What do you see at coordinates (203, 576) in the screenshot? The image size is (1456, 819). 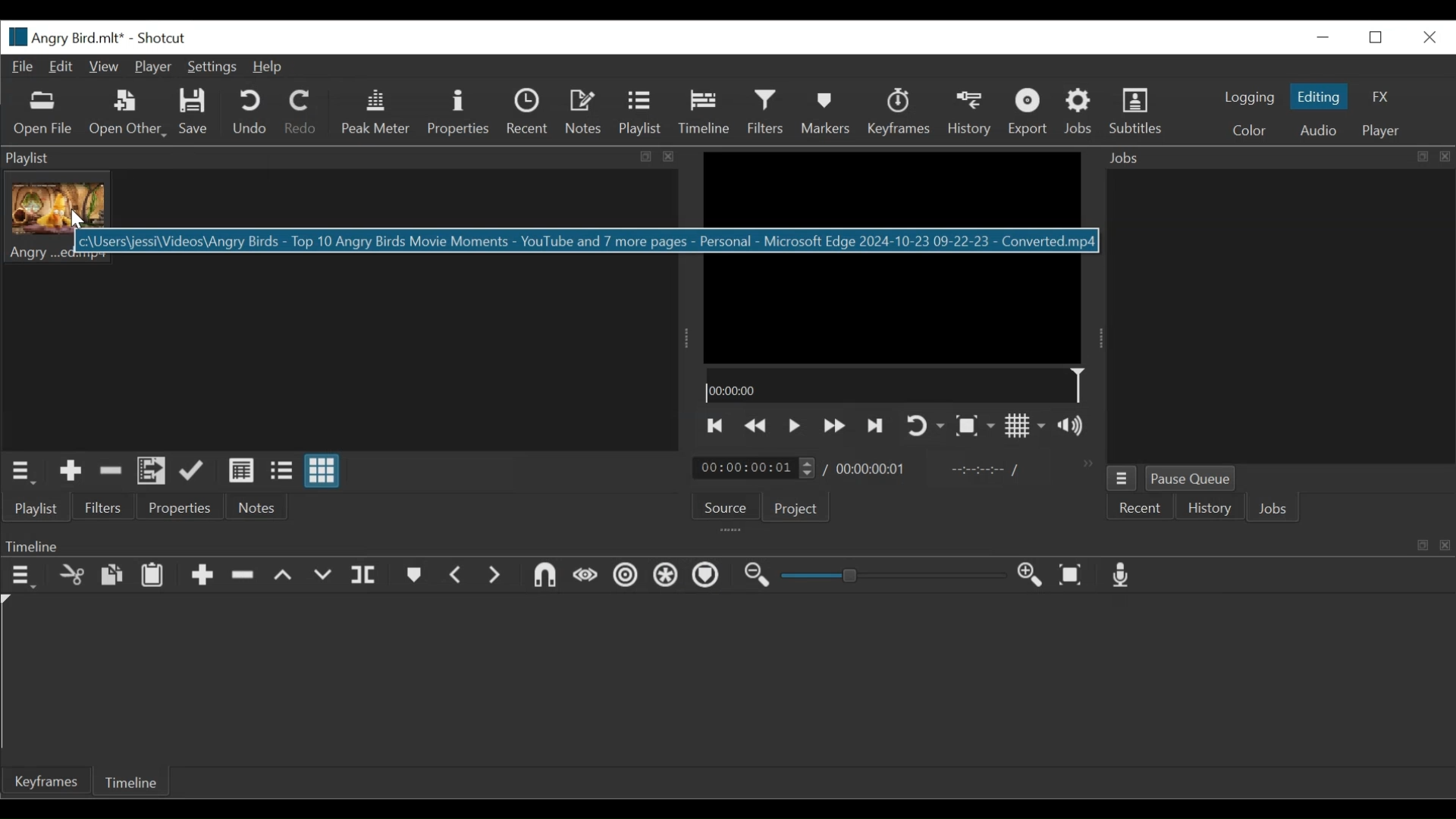 I see `Append` at bounding box center [203, 576].